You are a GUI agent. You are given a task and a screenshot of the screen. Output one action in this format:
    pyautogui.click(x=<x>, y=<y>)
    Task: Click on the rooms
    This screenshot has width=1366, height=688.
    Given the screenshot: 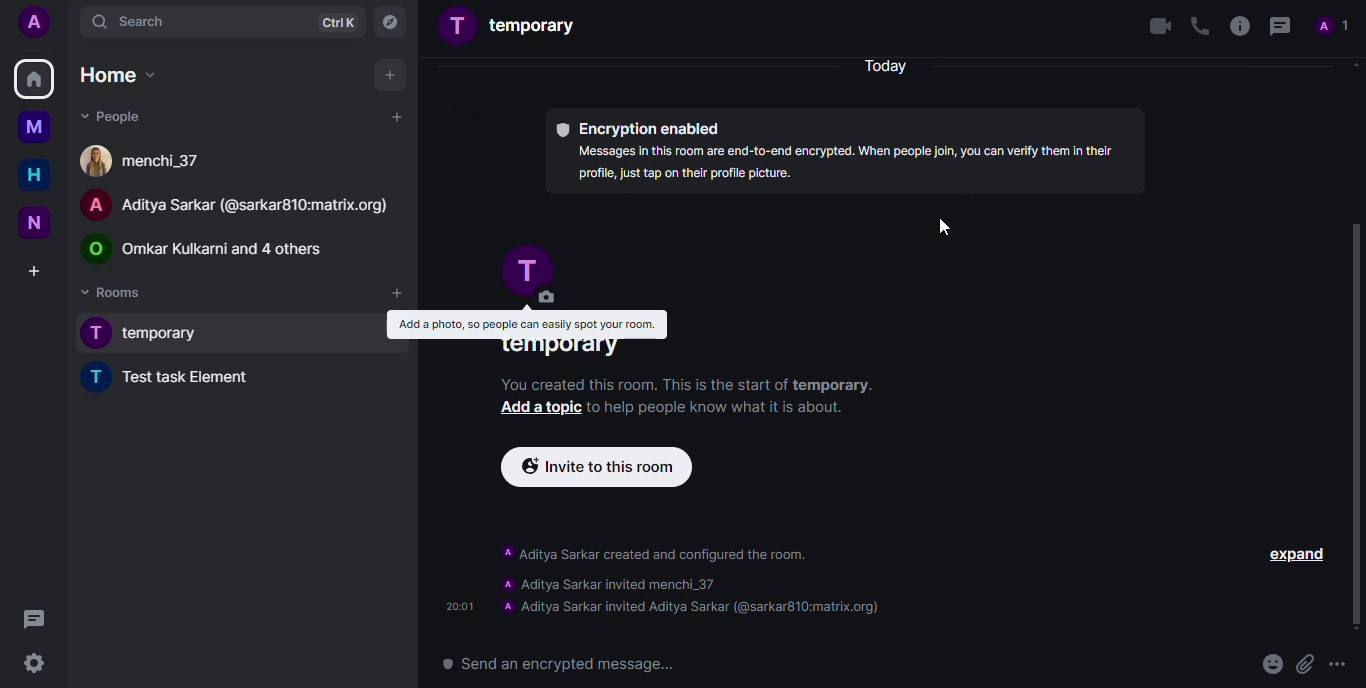 What is the action you would take?
    pyautogui.click(x=115, y=291)
    